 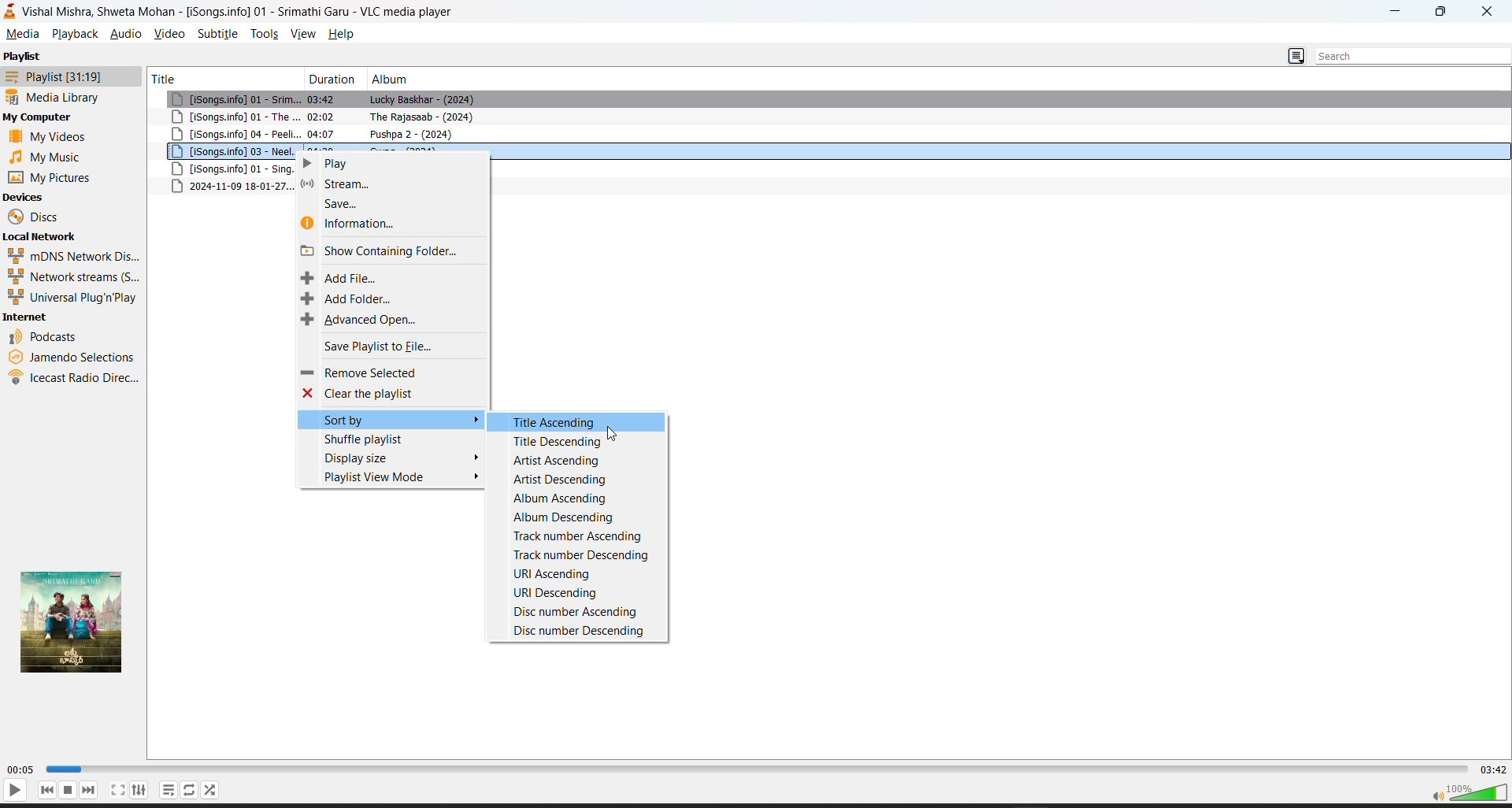 What do you see at coordinates (224, 169) in the screenshot?
I see `song` at bounding box center [224, 169].